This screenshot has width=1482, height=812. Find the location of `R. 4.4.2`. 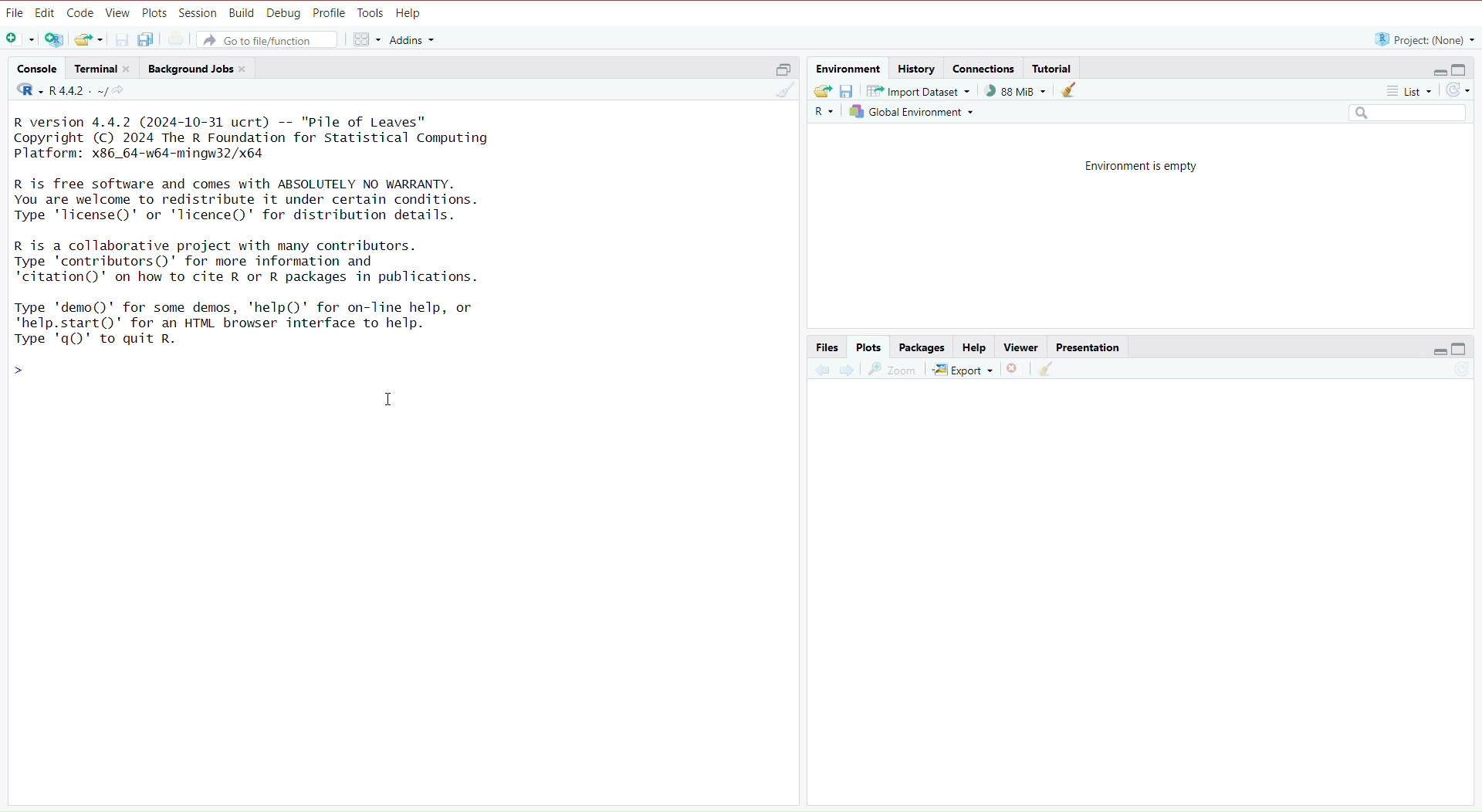

R. 4.4.2 is located at coordinates (59, 91).